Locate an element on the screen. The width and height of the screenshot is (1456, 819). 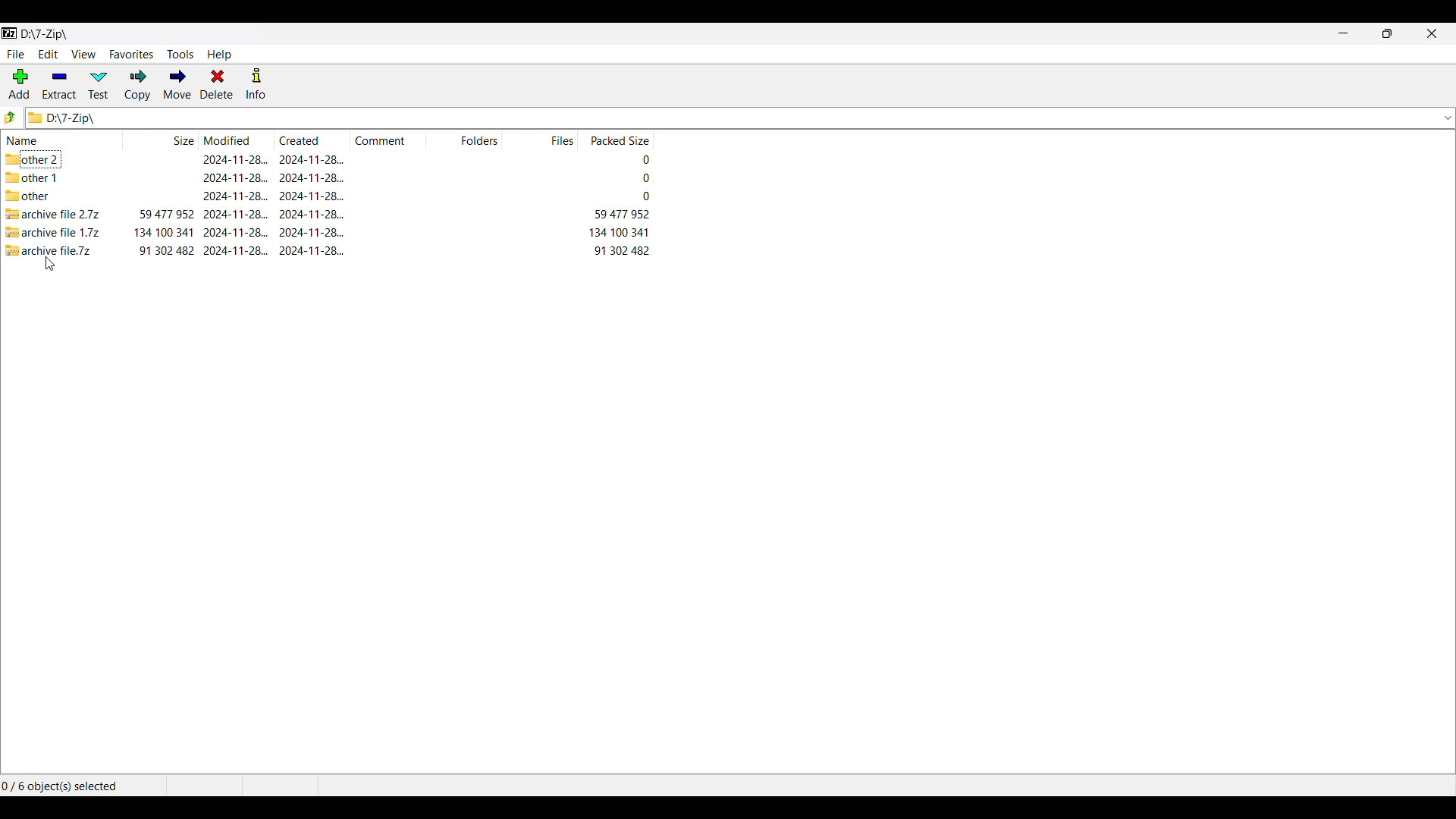
size is located at coordinates (165, 250).